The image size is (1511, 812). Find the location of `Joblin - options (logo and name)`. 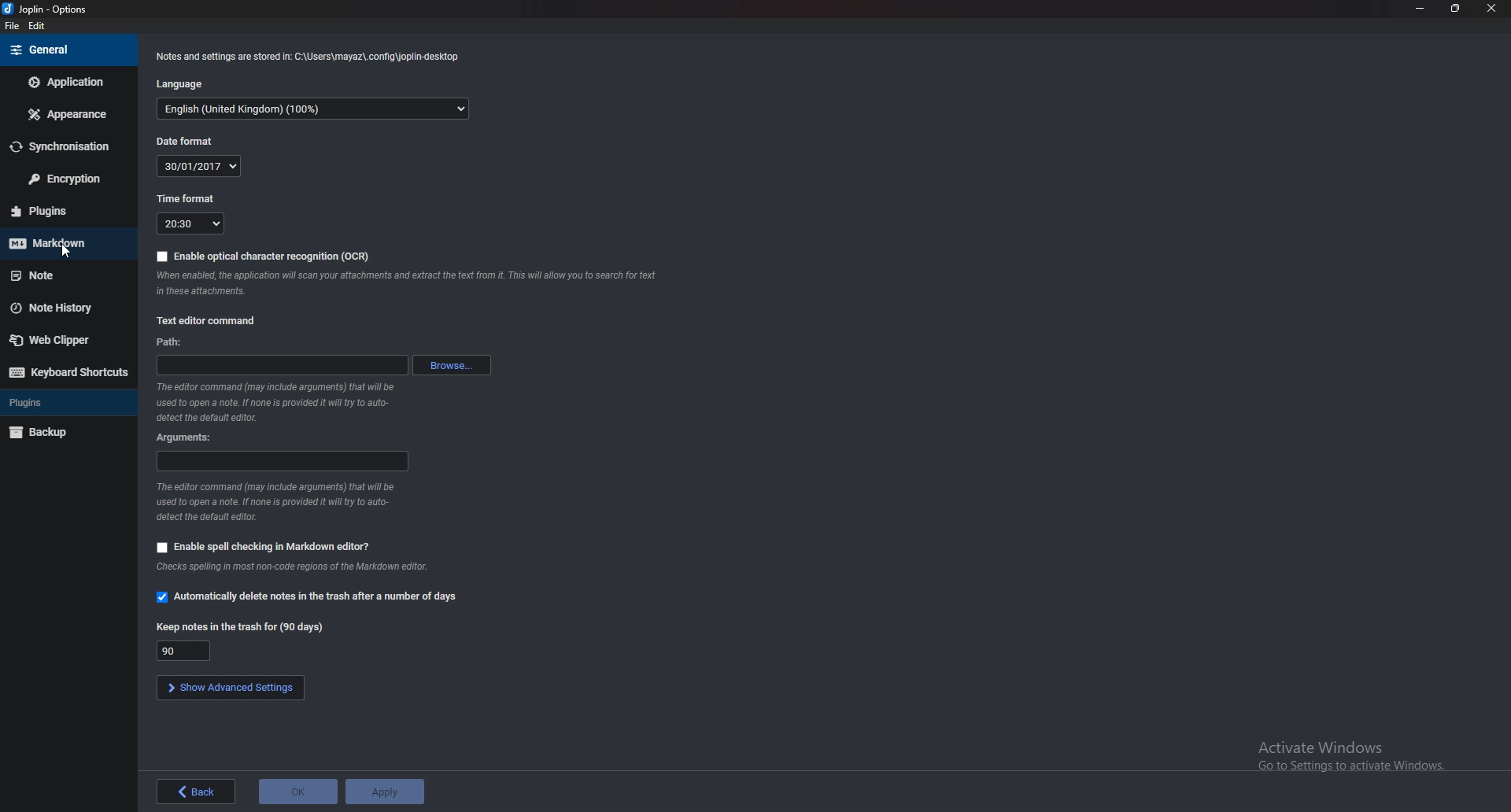

Joblin - options (logo and name) is located at coordinates (43, 9).